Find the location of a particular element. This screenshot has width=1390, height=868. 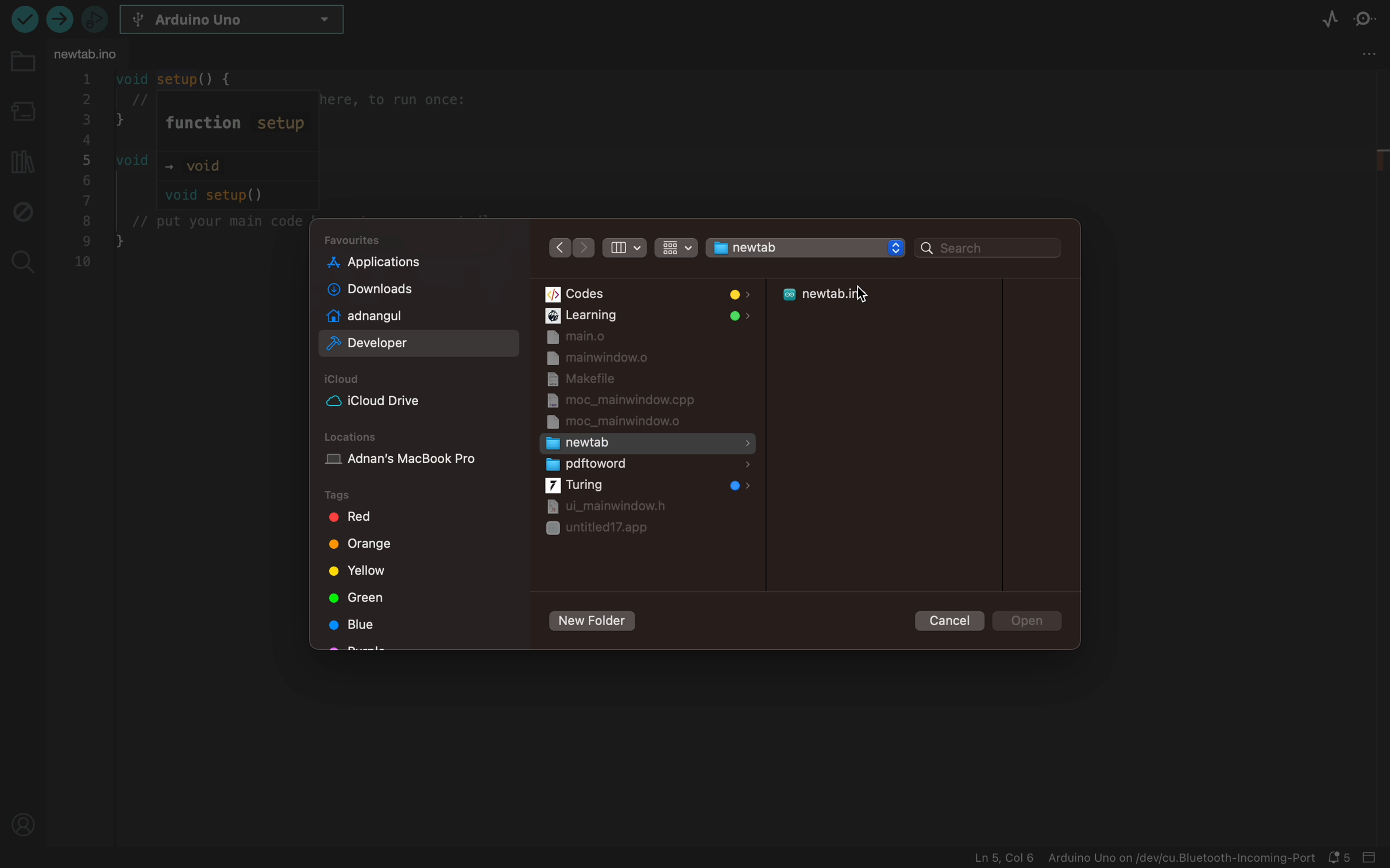

new tab is located at coordinates (649, 443).